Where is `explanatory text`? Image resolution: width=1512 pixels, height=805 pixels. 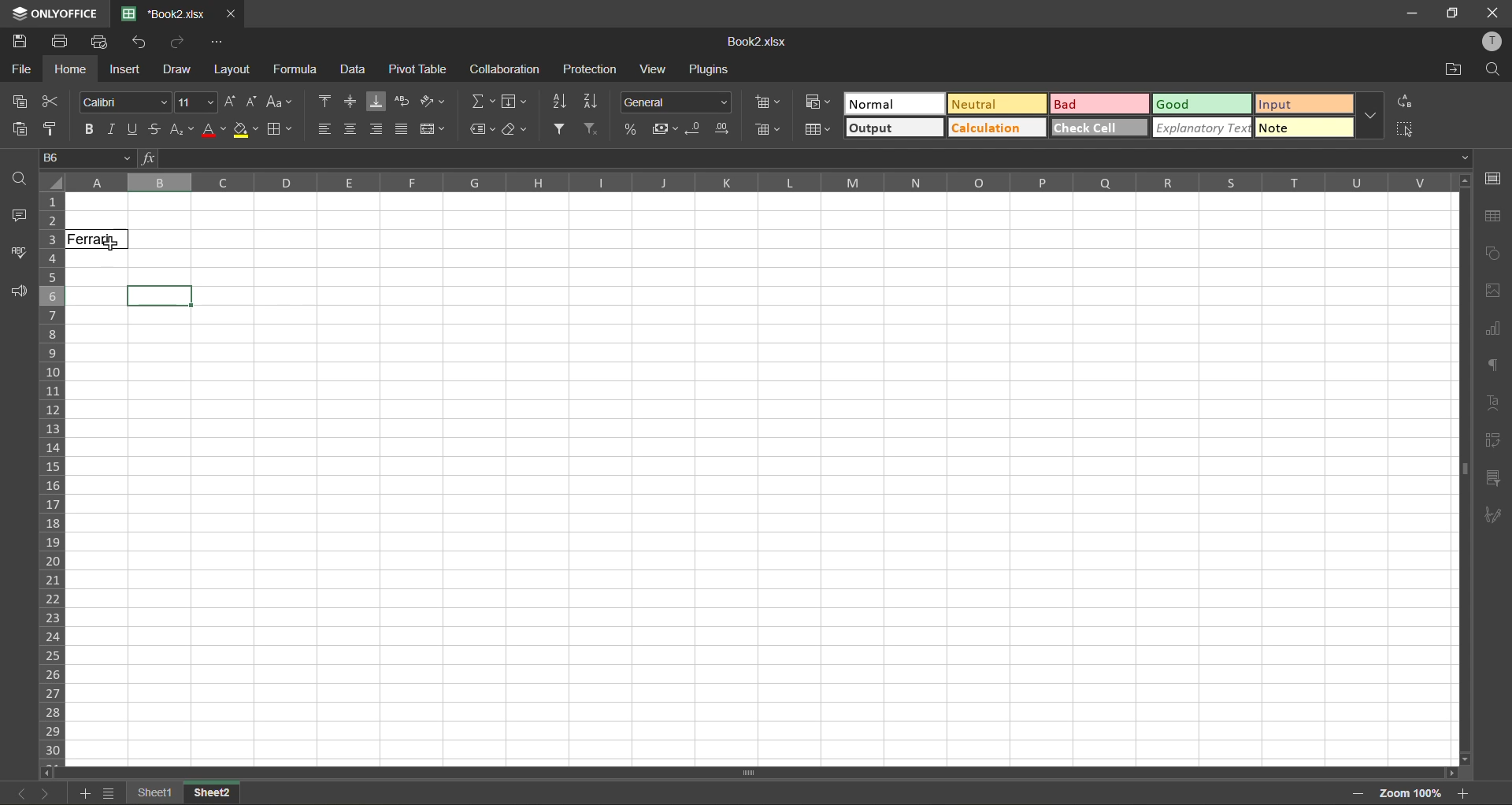
explanatory text is located at coordinates (1202, 128).